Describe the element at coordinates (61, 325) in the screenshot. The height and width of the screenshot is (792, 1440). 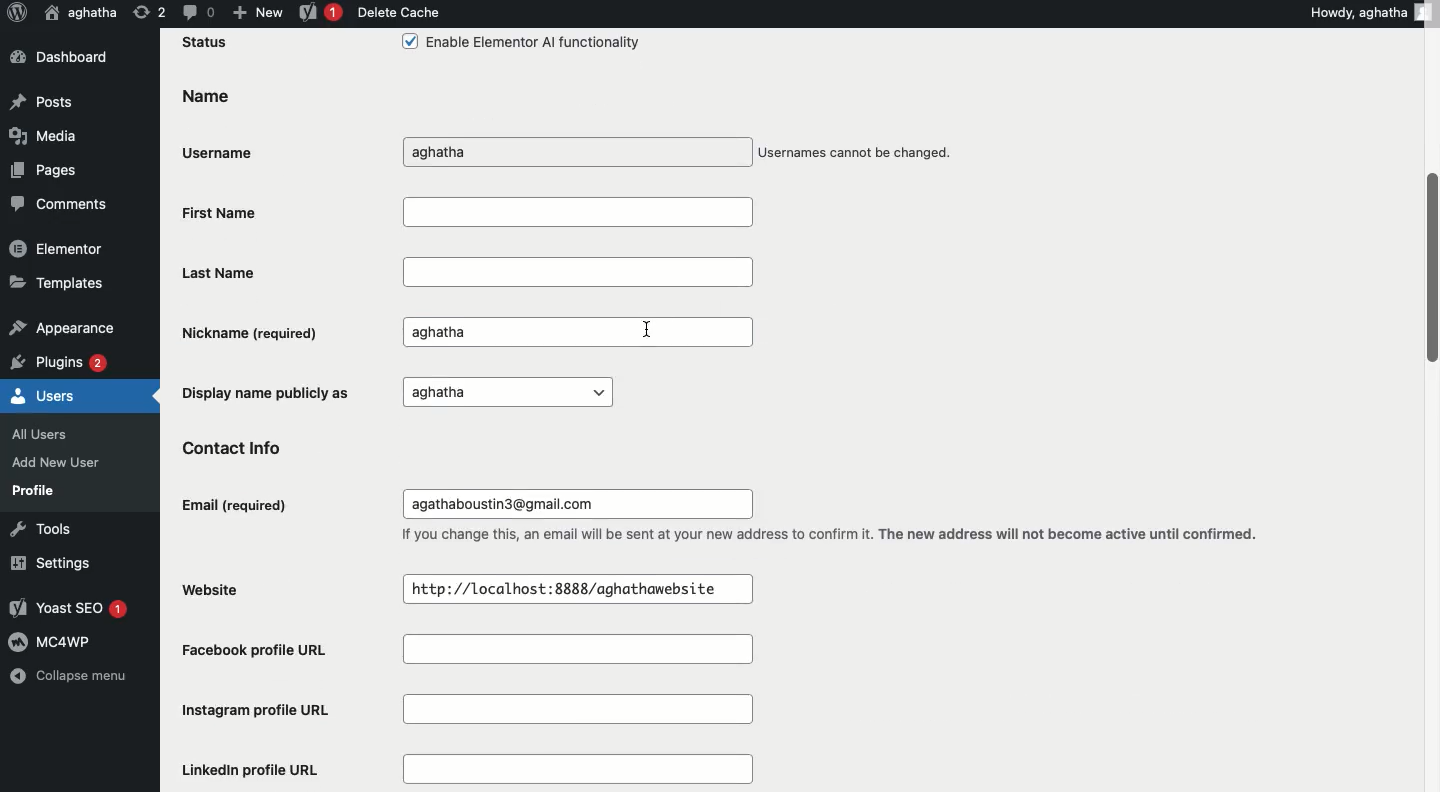
I see `Appearance` at that location.